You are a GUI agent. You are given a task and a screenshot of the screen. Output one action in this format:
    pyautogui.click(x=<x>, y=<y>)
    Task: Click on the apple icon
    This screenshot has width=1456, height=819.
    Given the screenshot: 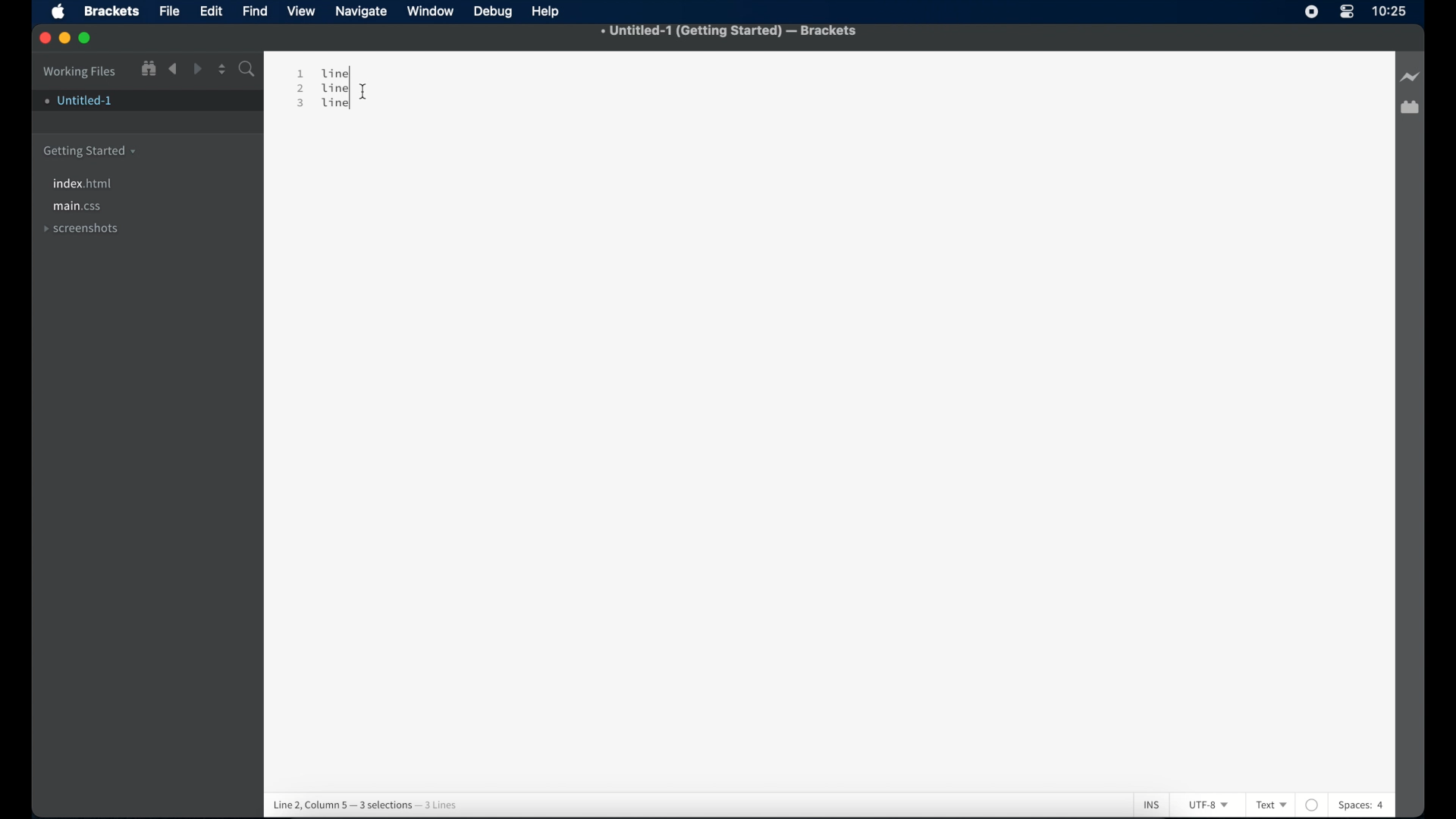 What is the action you would take?
    pyautogui.click(x=58, y=11)
    